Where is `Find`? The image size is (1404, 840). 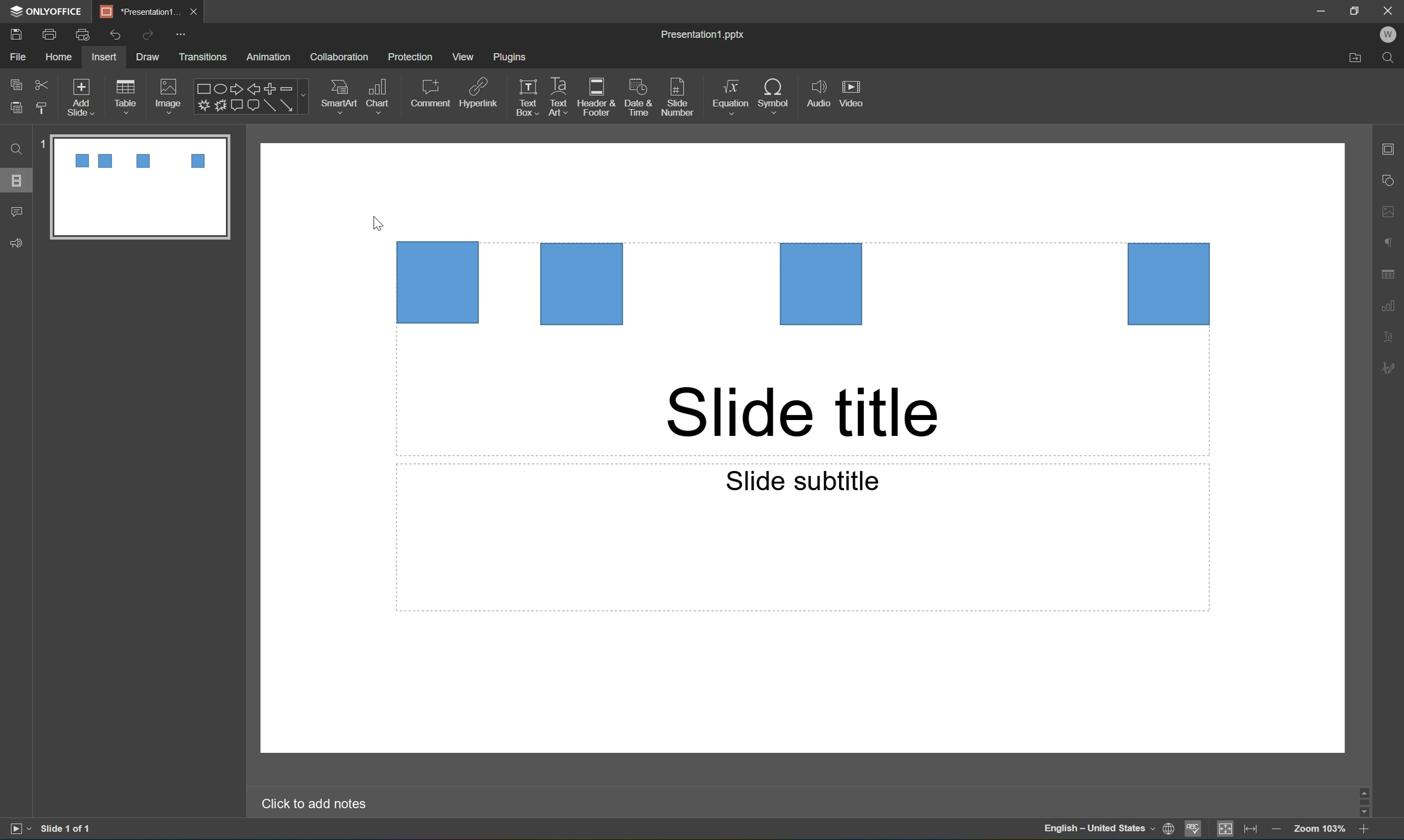
Find is located at coordinates (17, 150).